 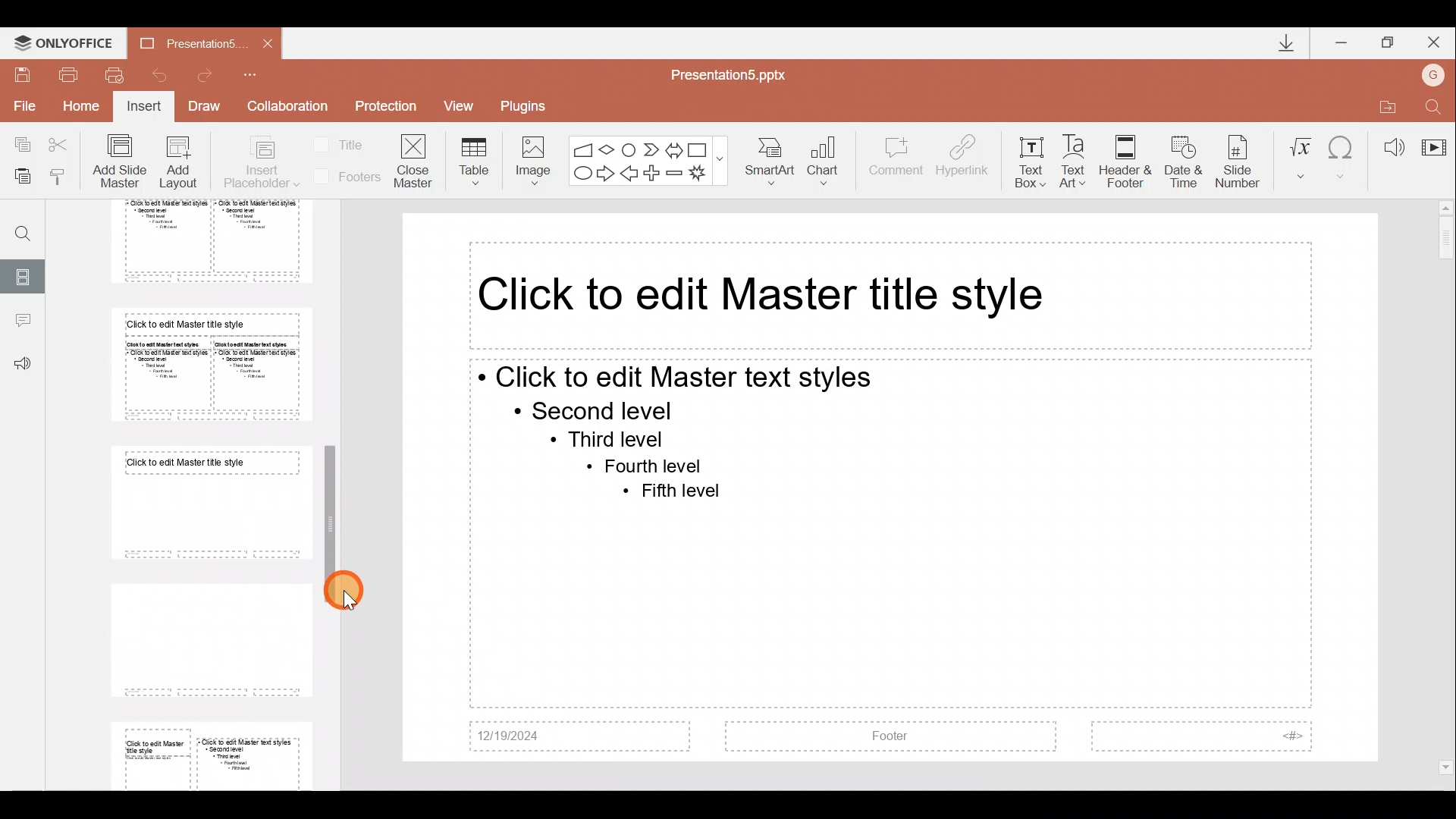 I want to click on Open file location, so click(x=1384, y=104).